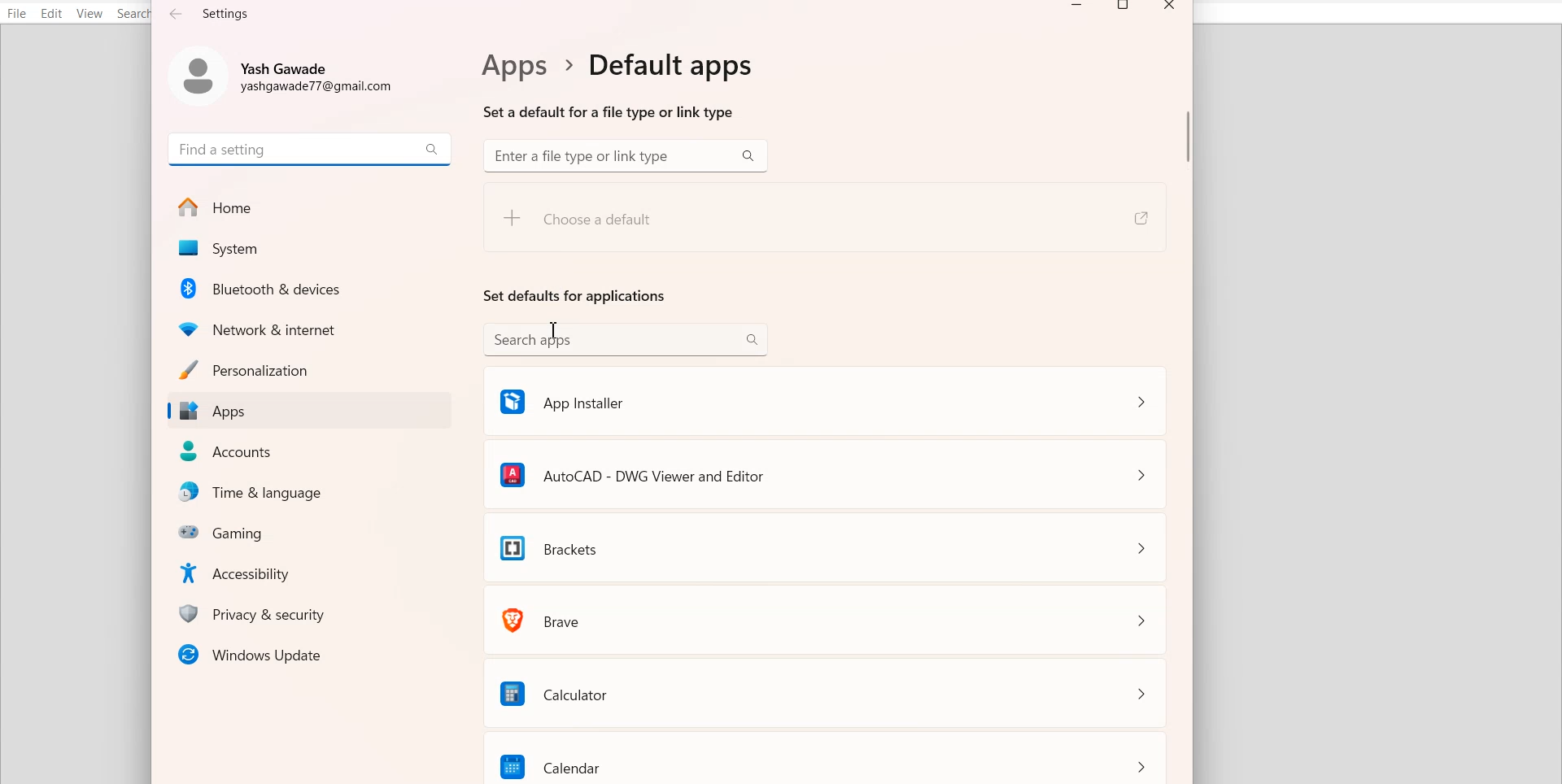  Describe the element at coordinates (823, 399) in the screenshot. I see `App Installer` at that location.